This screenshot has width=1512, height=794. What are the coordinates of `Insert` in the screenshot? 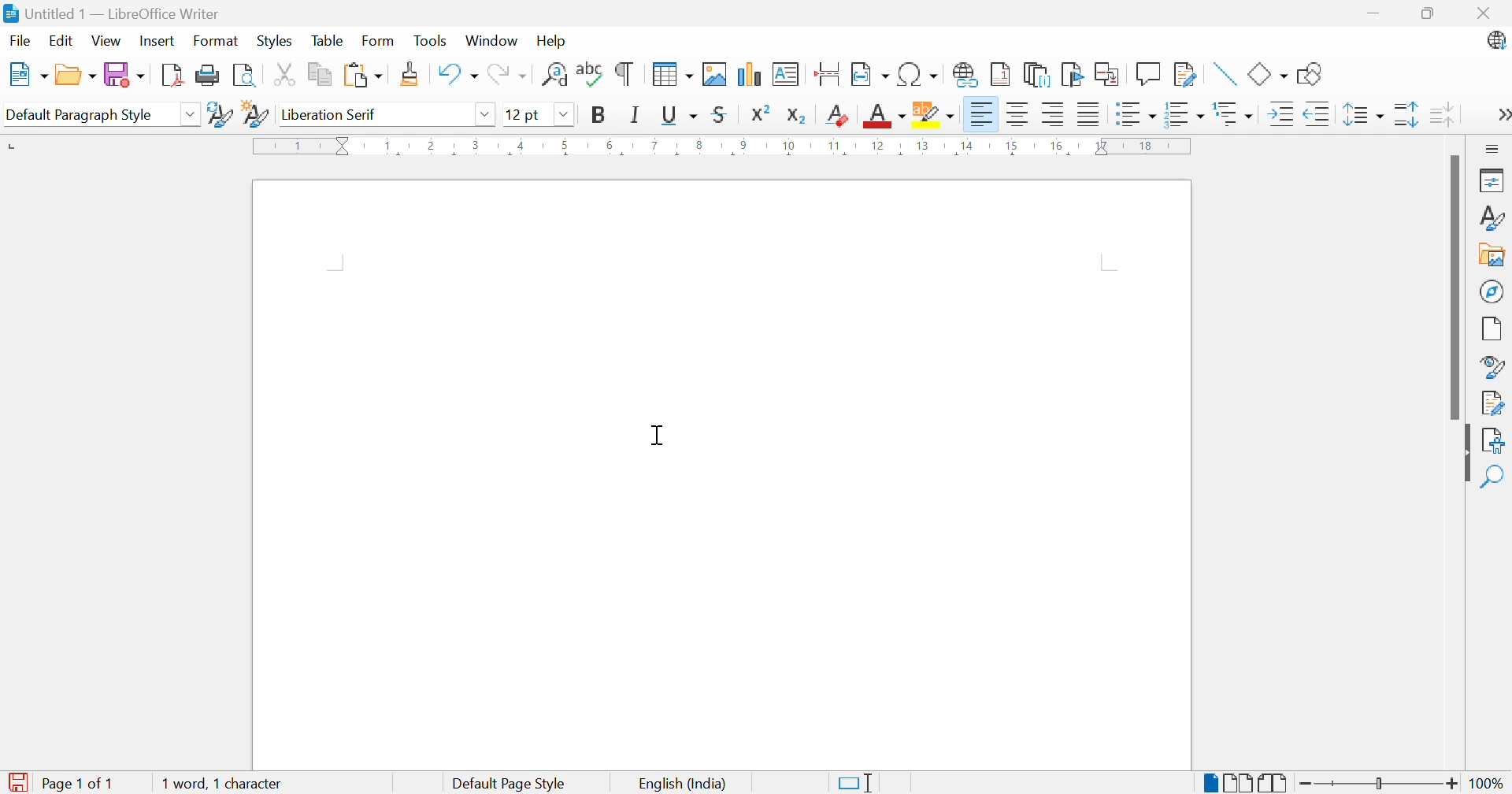 It's located at (159, 40).